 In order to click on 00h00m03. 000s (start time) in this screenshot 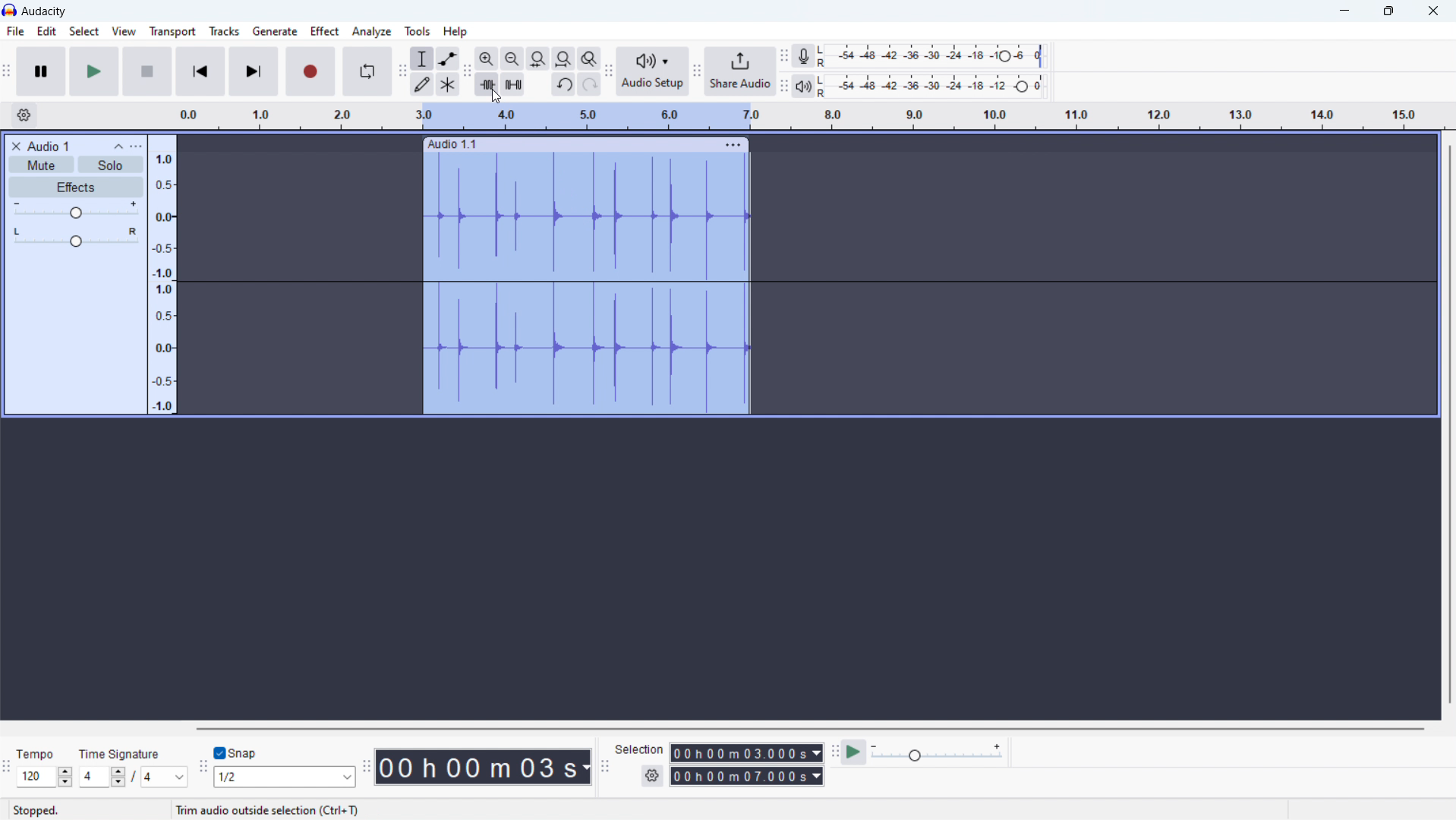, I will do `click(746, 747)`.